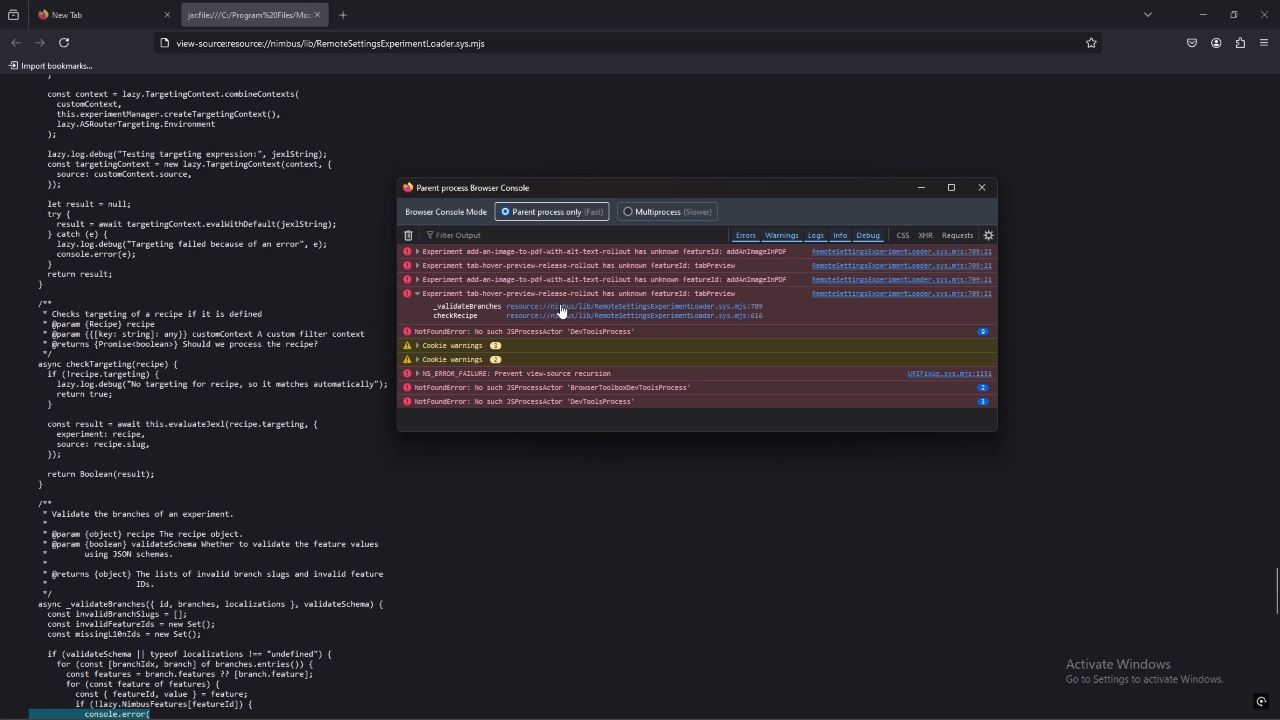  Describe the element at coordinates (57, 65) in the screenshot. I see `input bookmarks` at that location.